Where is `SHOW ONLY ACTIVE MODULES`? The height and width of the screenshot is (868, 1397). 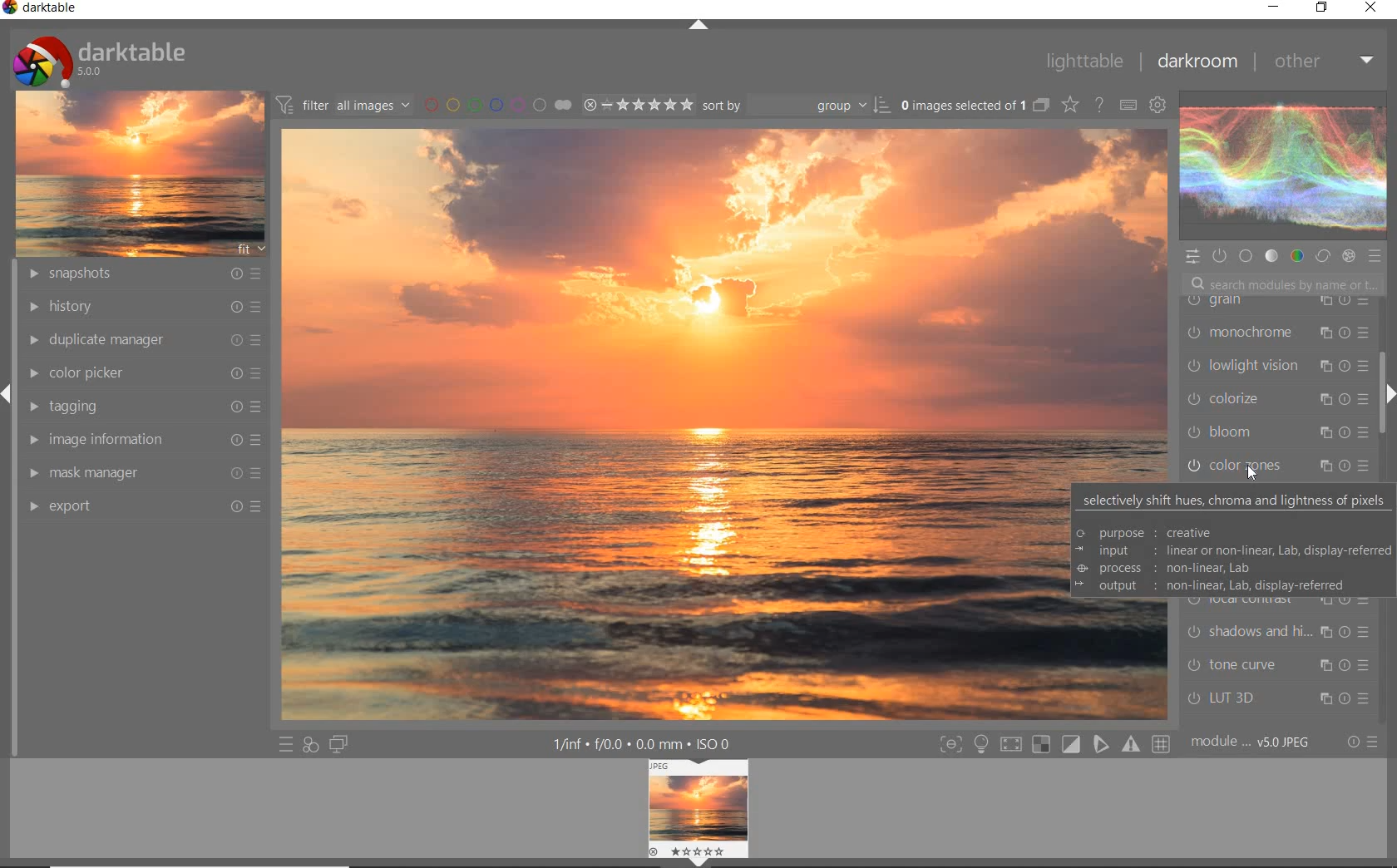
SHOW ONLY ACTIVE MODULES is located at coordinates (1219, 255).